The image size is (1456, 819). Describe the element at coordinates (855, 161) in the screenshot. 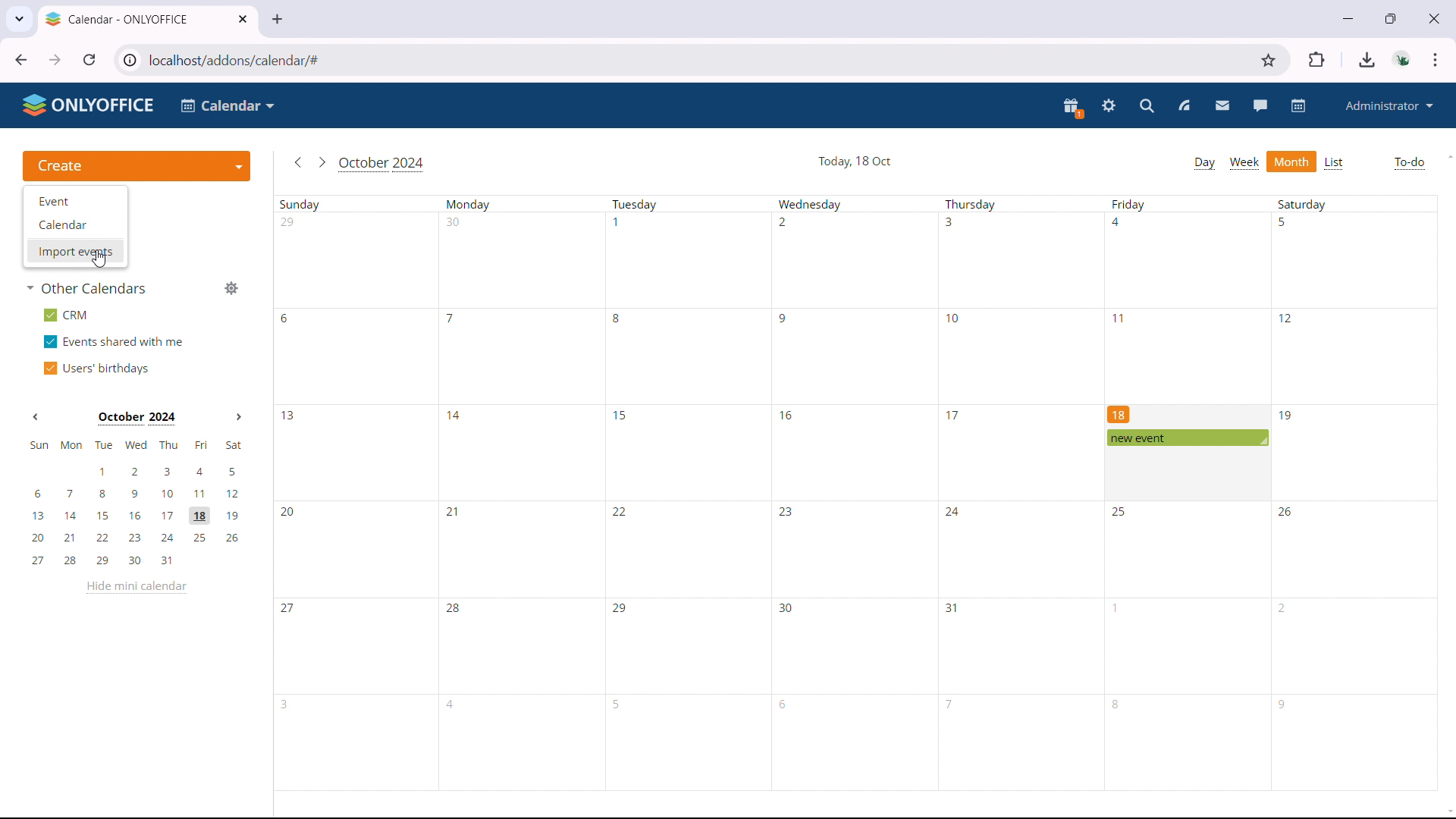

I see `Today, 18 Oct` at that location.